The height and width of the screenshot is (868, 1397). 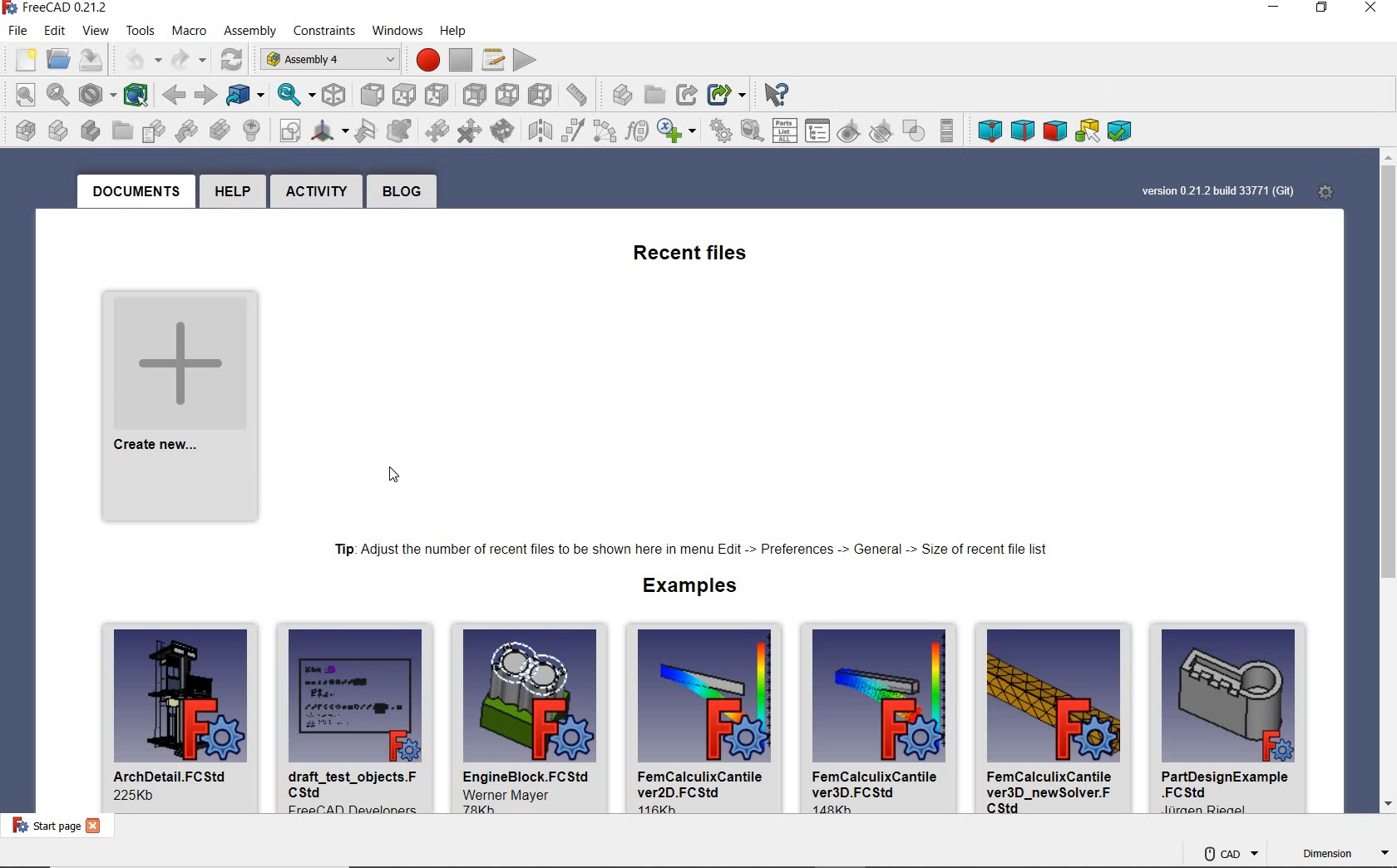 I want to click on select only vertices, so click(x=990, y=131).